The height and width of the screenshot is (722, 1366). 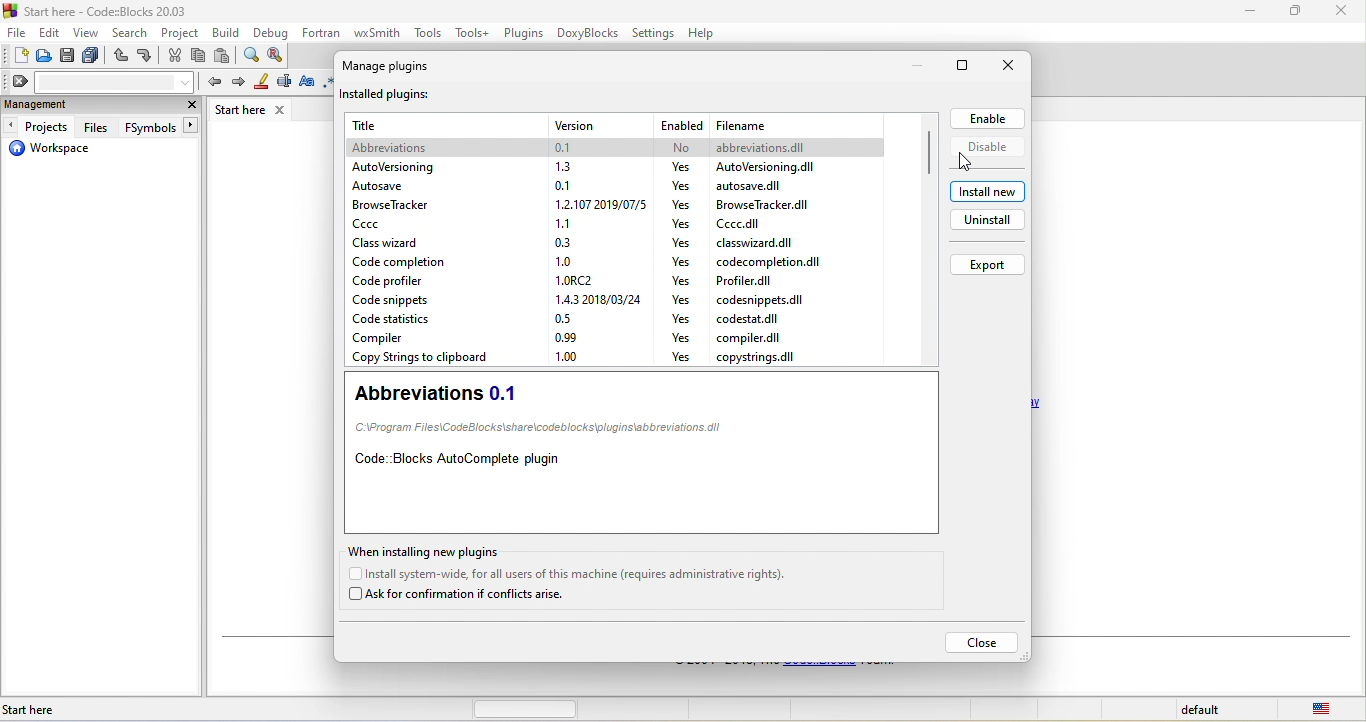 What do you see at coordinates (561, 185) in the screenshot?
I see `version` at bounding box center [561, 185].